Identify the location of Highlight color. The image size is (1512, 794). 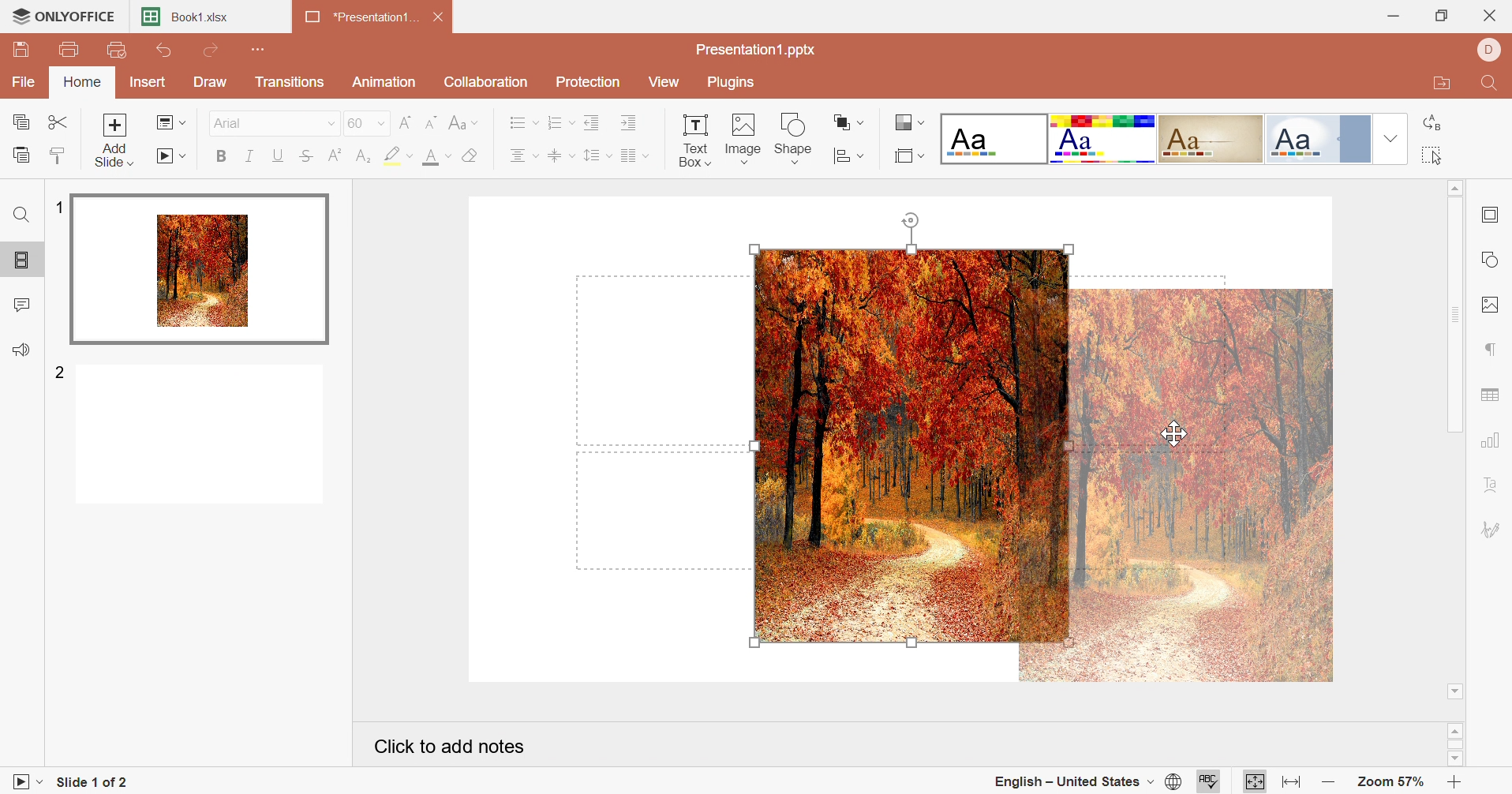
(395, 155).